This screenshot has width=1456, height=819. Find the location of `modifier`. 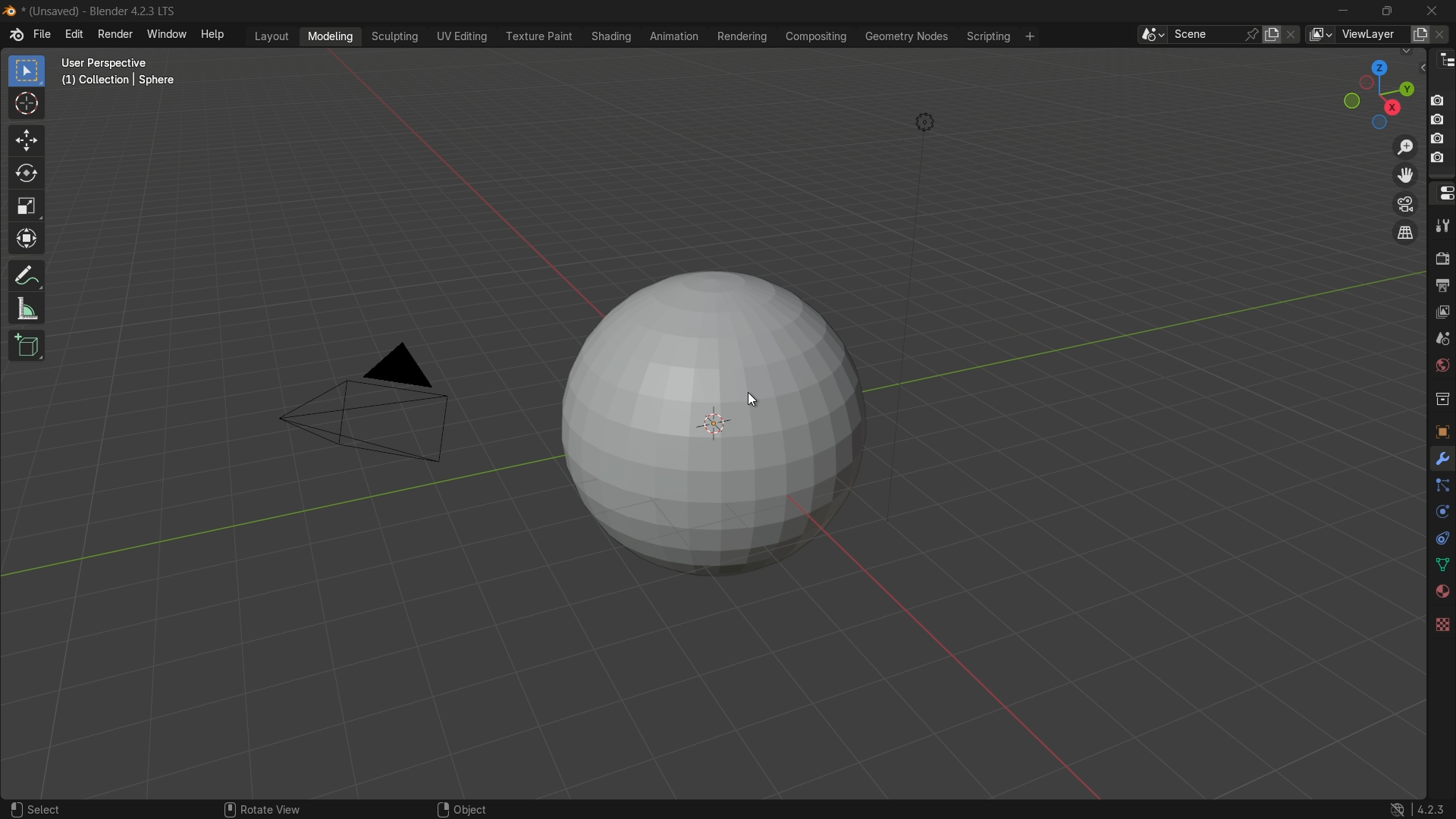

modifier is located at coordinates (1442, 460).